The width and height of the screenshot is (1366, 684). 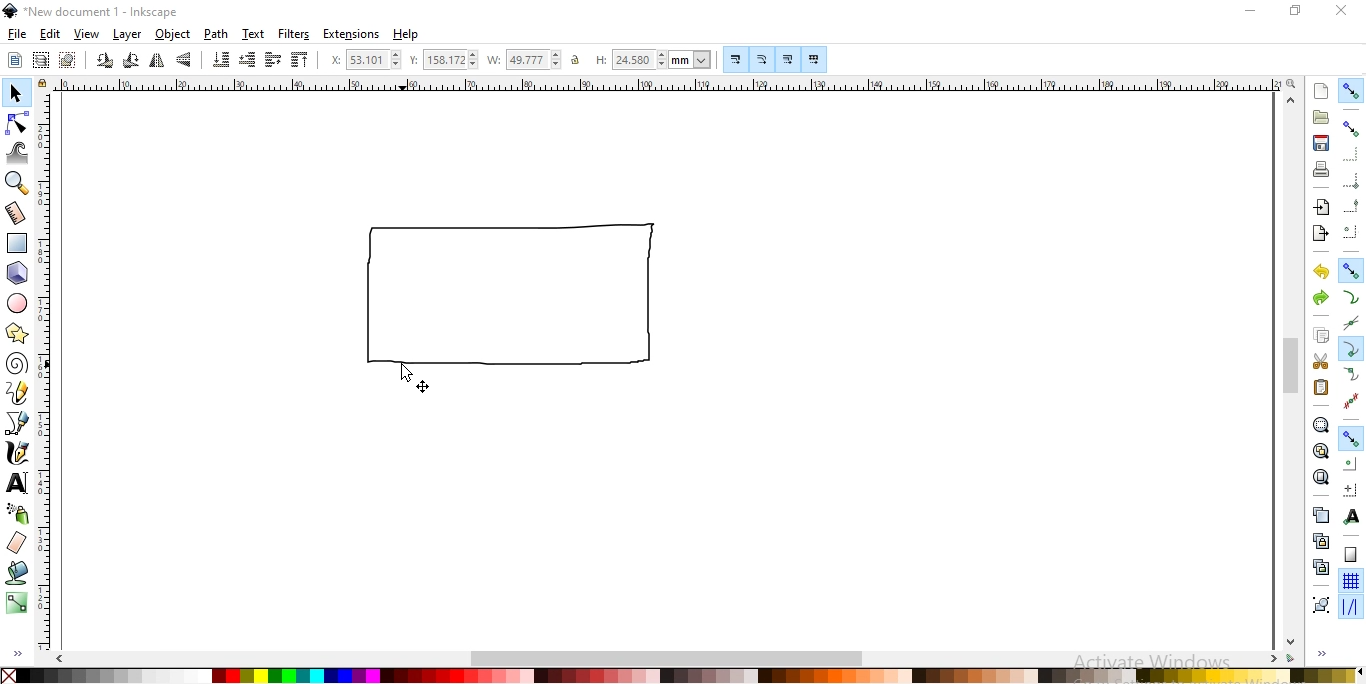 I want to click on scrollbar, so click(x=668, y=660).